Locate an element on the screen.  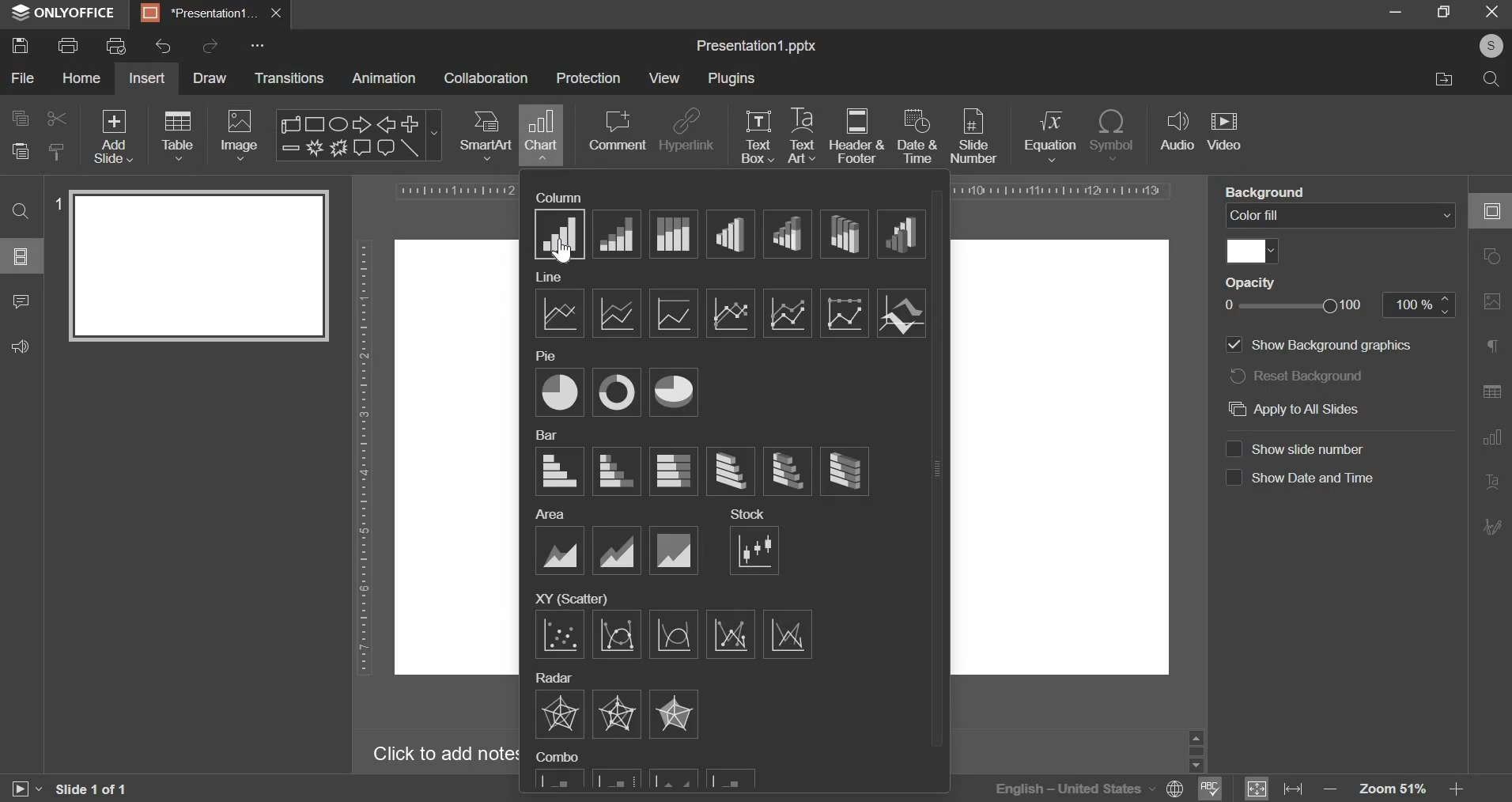
exit is located at coordinates (1491, 11).